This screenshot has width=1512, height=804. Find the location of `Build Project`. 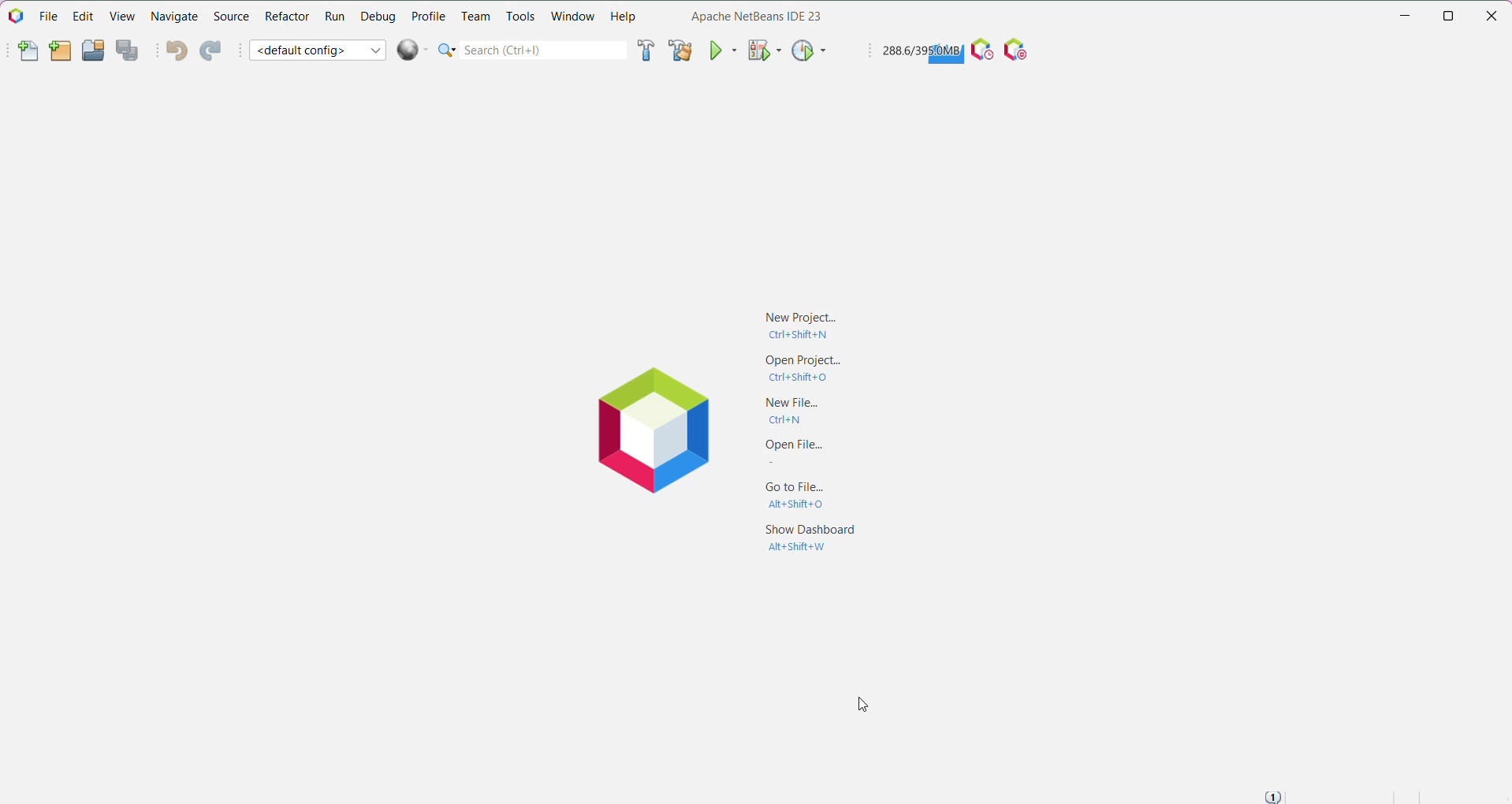

Build Project is located at coordinates (644, 52).